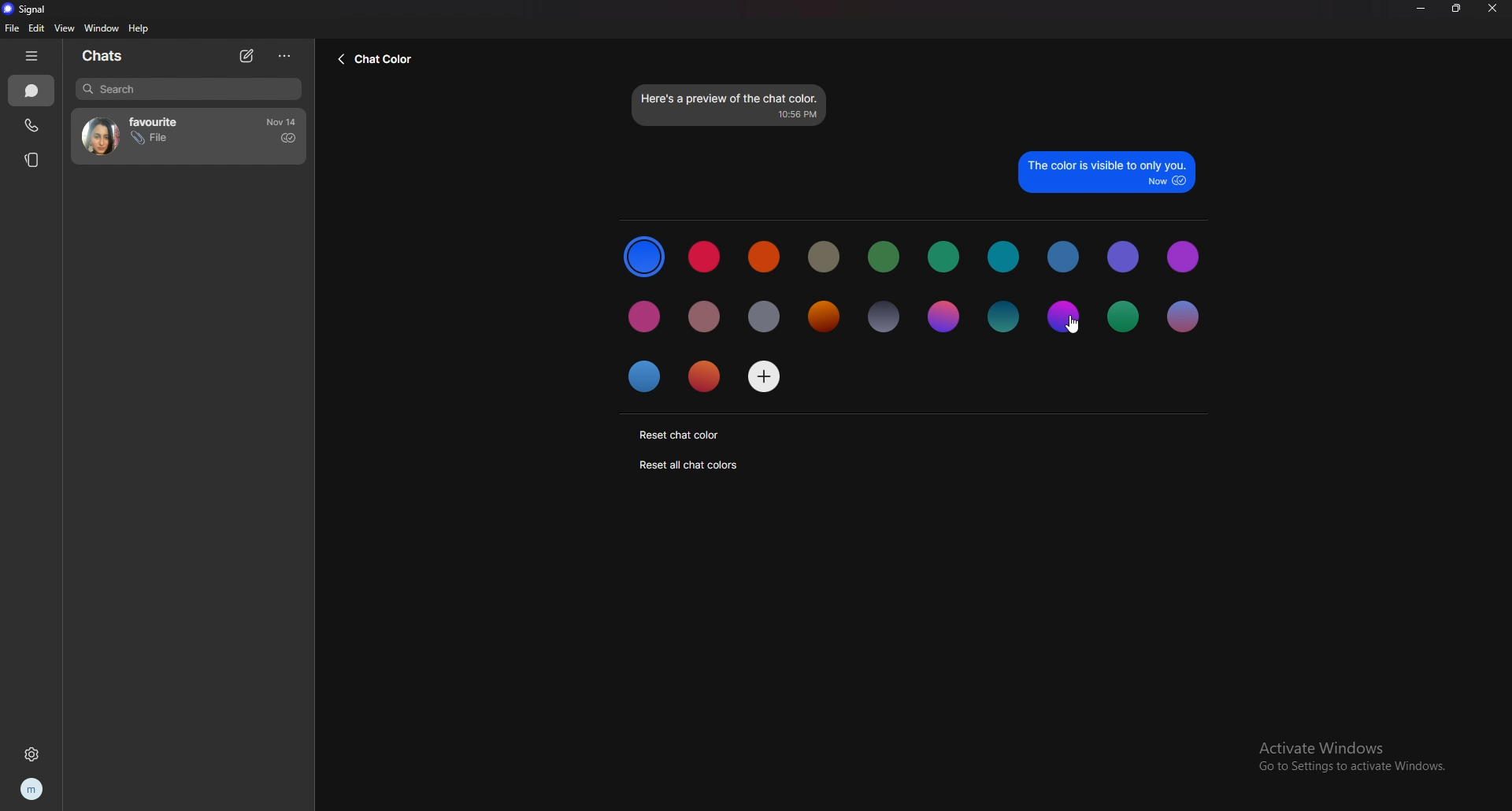 This screenshot has height=811, width=1512. I want to click on contact, so click(165, 135).